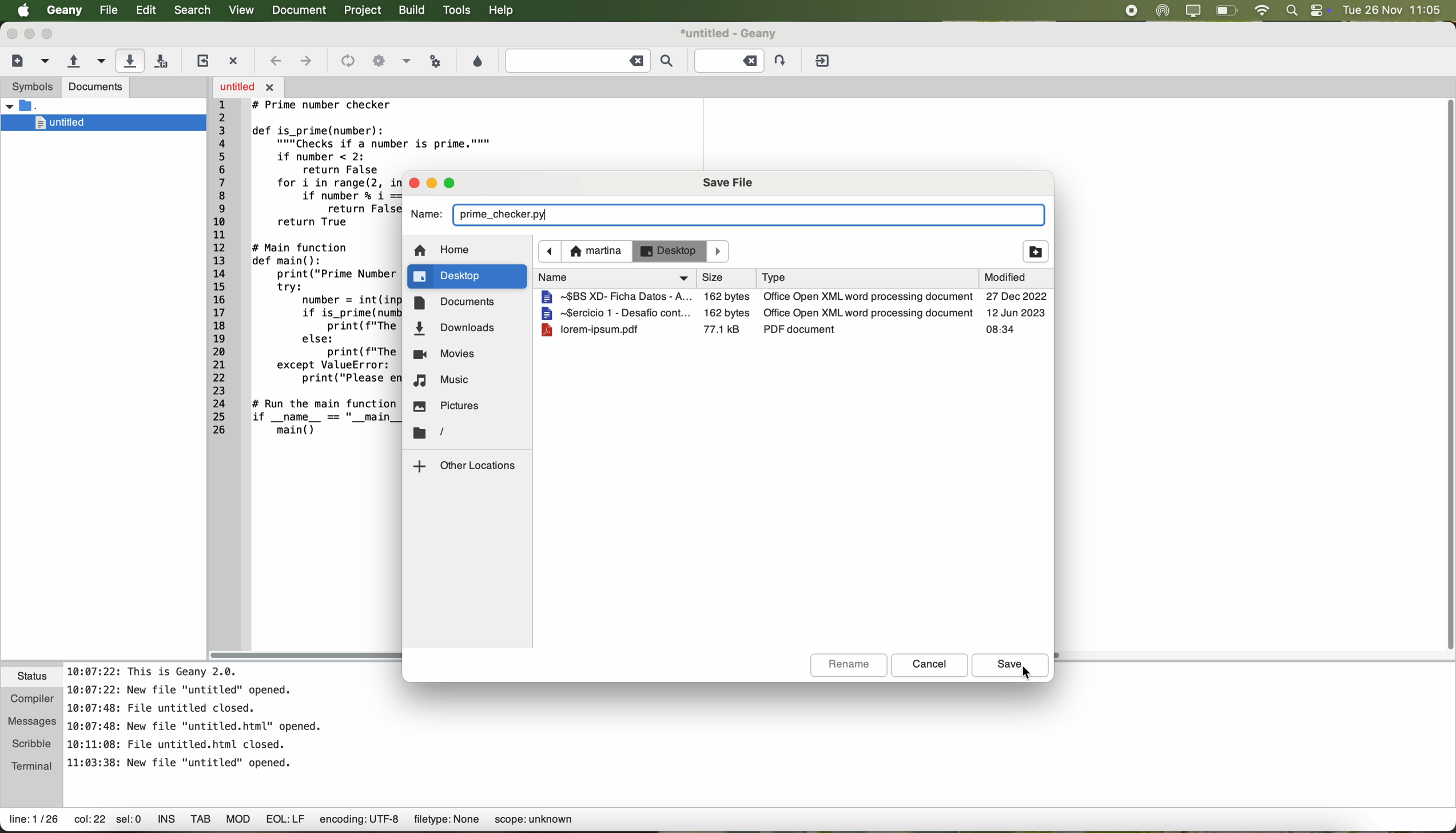  Describe the element at coordinates (413, 11) in the screenshot. I see `build` at that location.